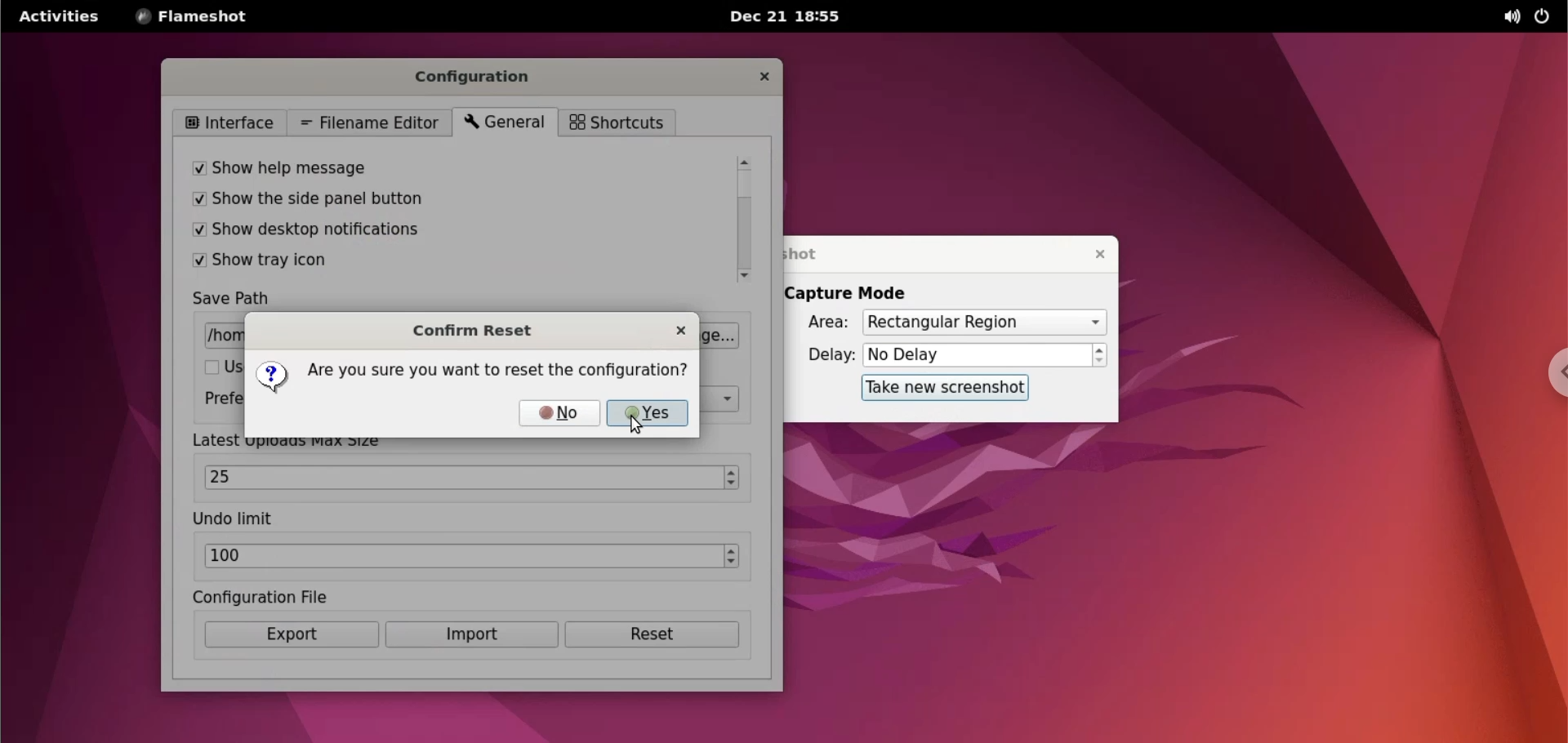  What do you see at coordinates (649, 412) in the screenshot?
I see `yes` at bounding box center [649, 412].